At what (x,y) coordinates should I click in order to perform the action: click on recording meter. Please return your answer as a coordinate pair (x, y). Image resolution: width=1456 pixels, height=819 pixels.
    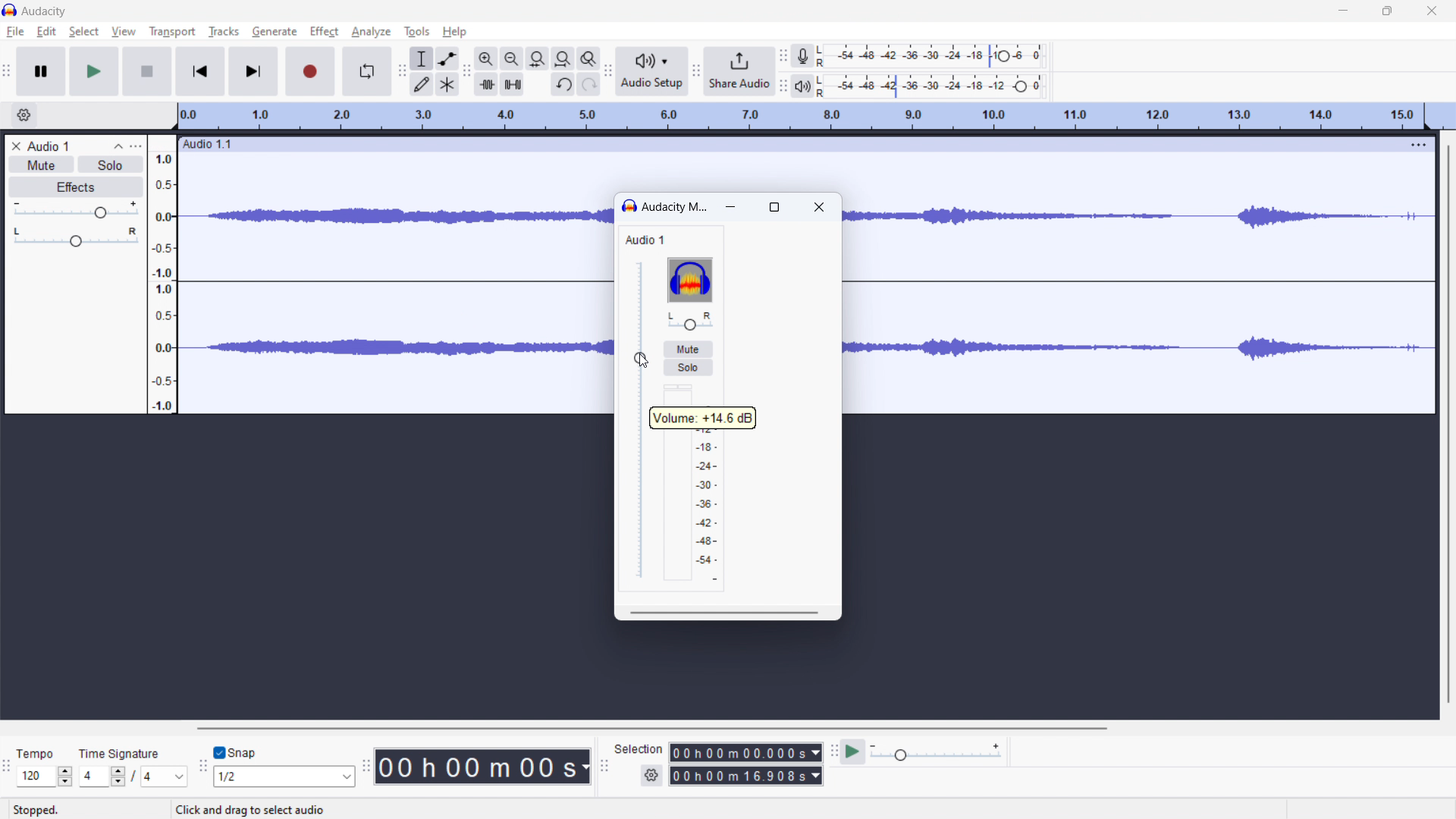
    Looking at the image, I should click on (803, 57).